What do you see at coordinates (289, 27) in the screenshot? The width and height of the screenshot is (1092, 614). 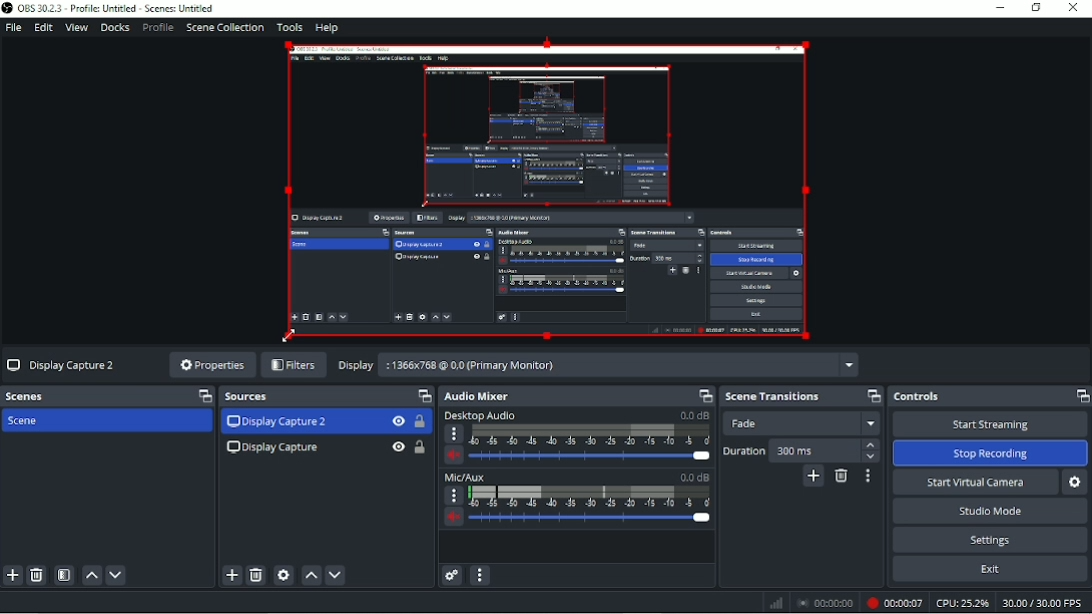 I see `Tools` at bounding box center [289, 27].